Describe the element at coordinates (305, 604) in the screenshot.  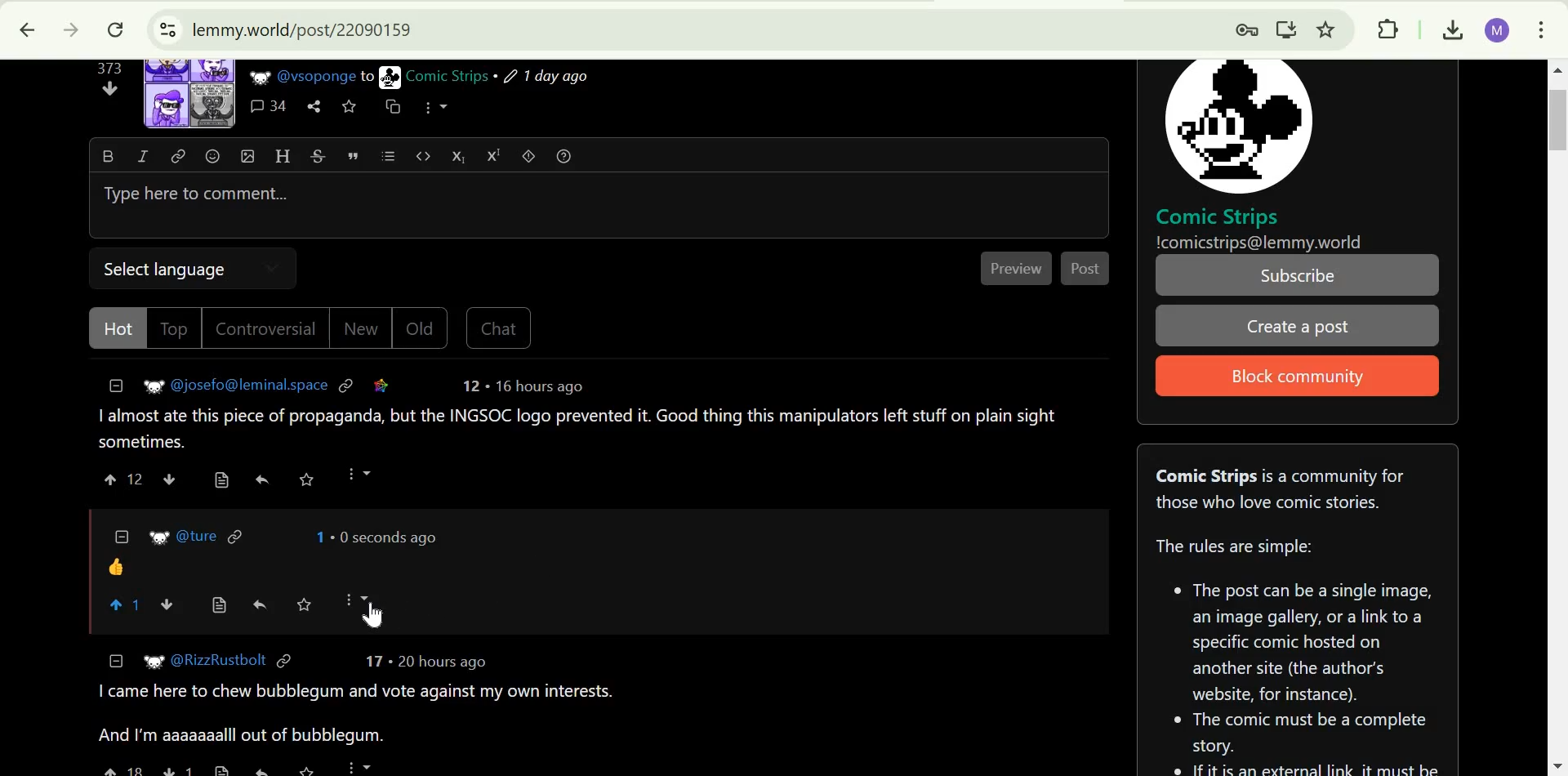
I see `Save` at that location.